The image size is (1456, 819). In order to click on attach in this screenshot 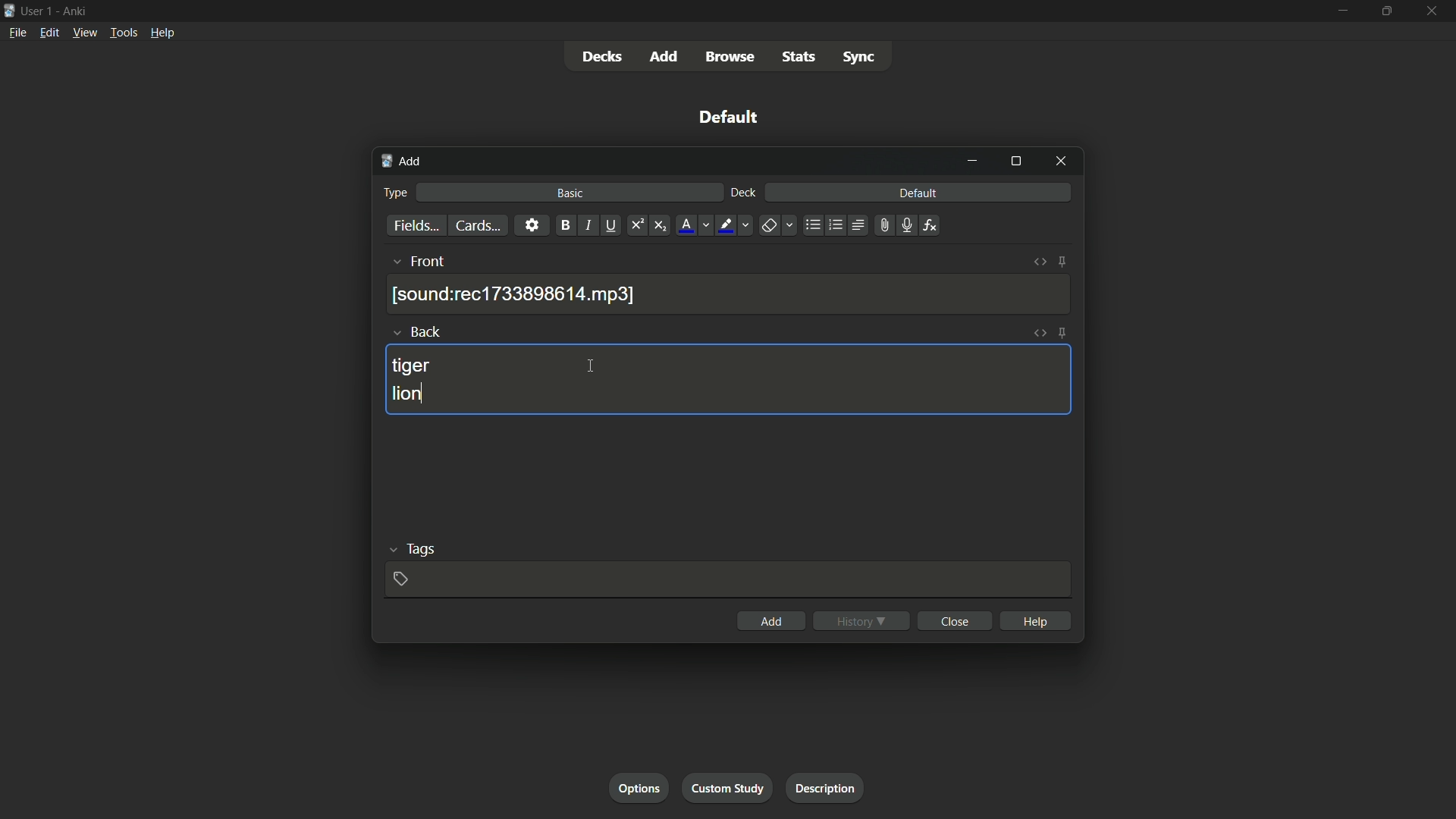, I will do `click(881, 225)`.